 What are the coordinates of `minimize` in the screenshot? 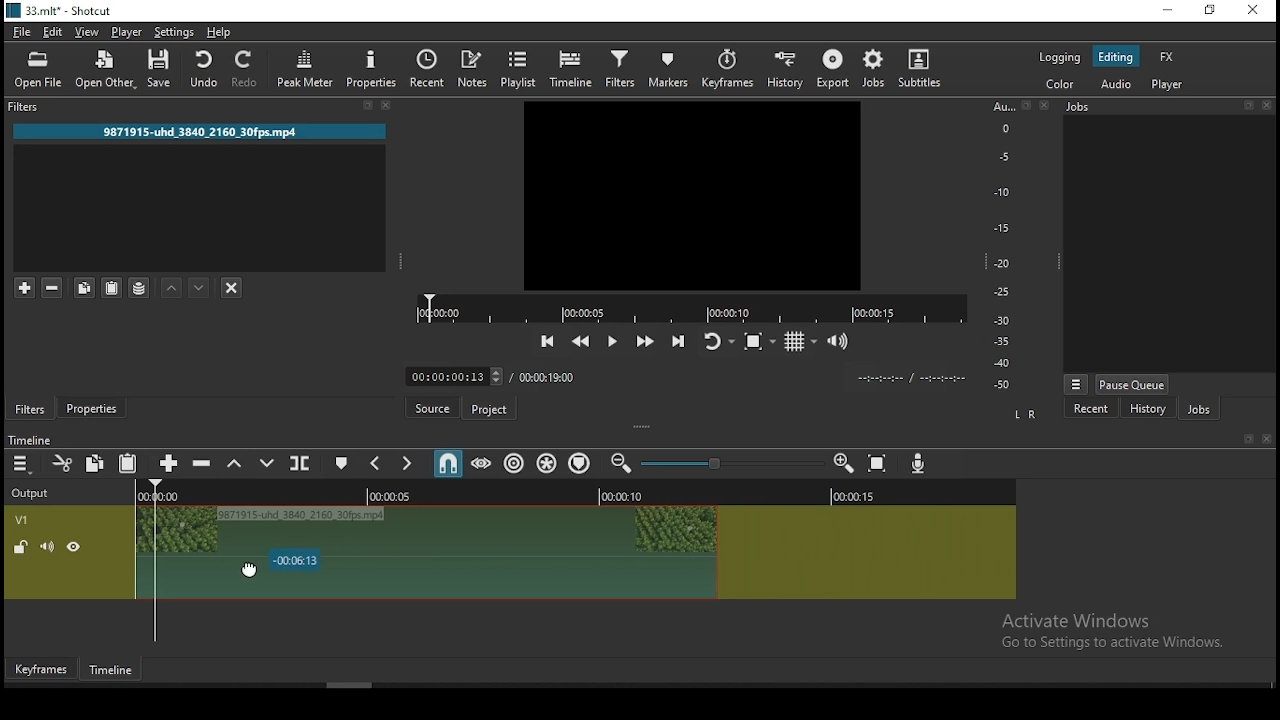 It's located at (1167, 11).